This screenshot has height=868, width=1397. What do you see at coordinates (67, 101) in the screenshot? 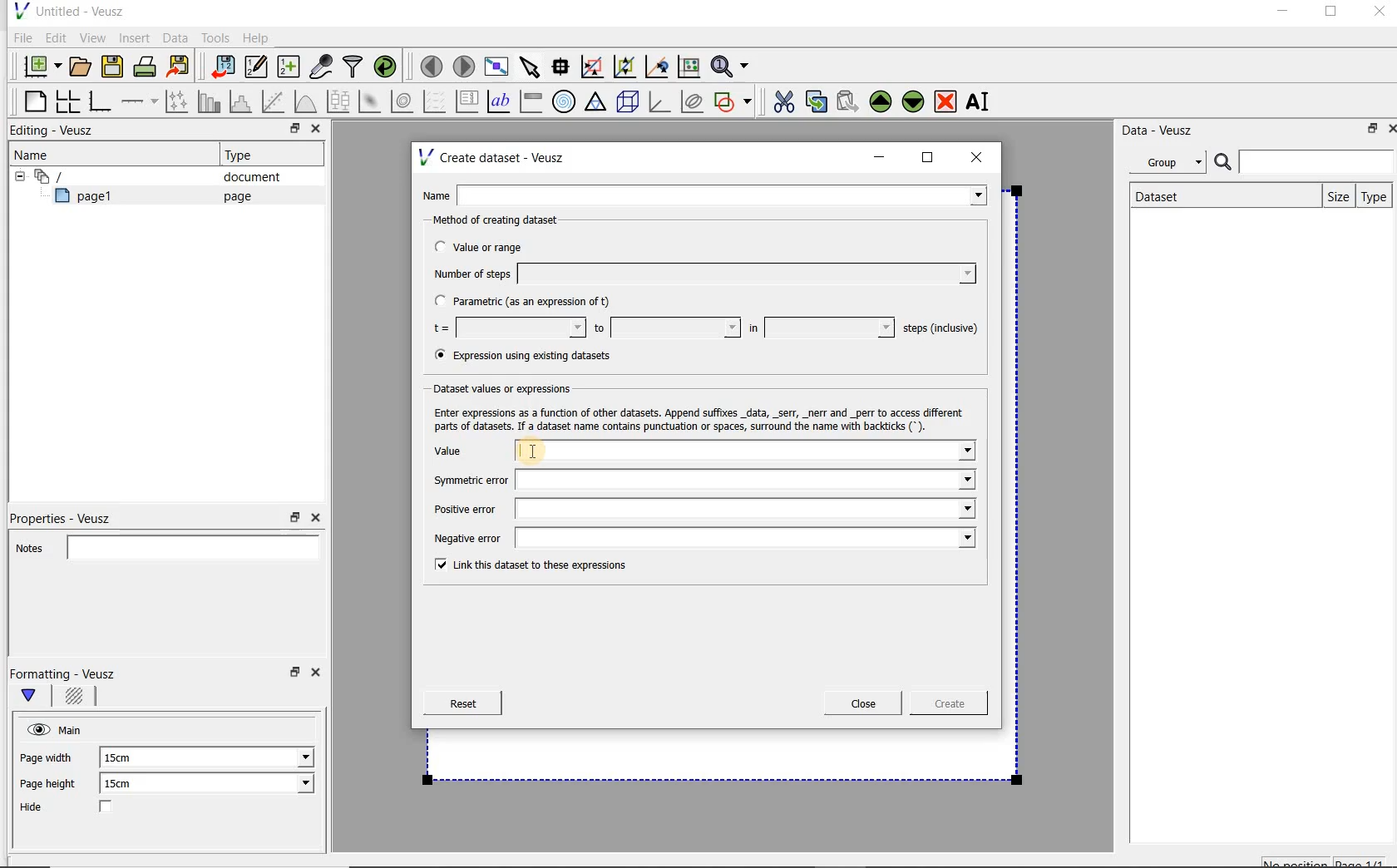
I see `arrange graphs in a grid` at bounding box center [67, 101].